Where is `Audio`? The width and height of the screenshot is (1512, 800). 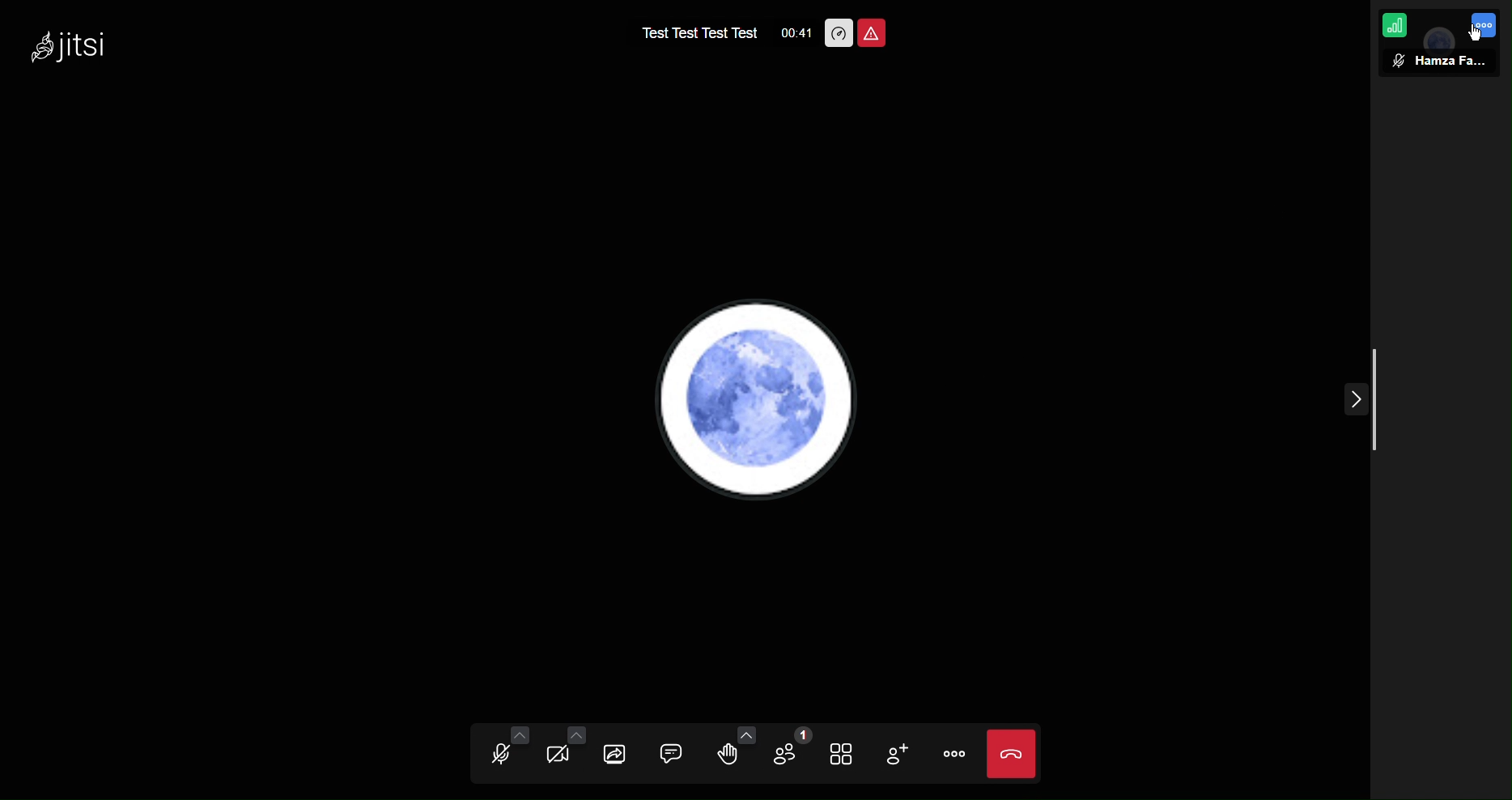
Audio is located at coordinates (503, 753).